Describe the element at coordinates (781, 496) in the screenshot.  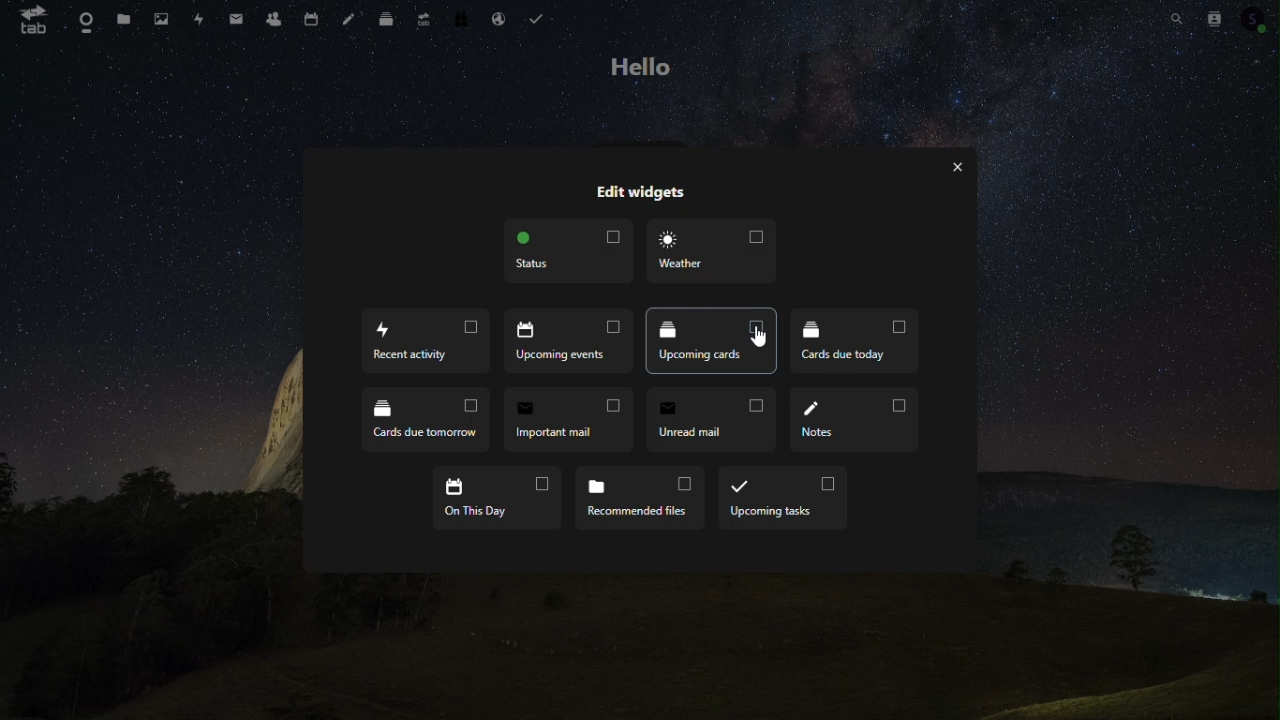
I see `Upcoming task` at that location.